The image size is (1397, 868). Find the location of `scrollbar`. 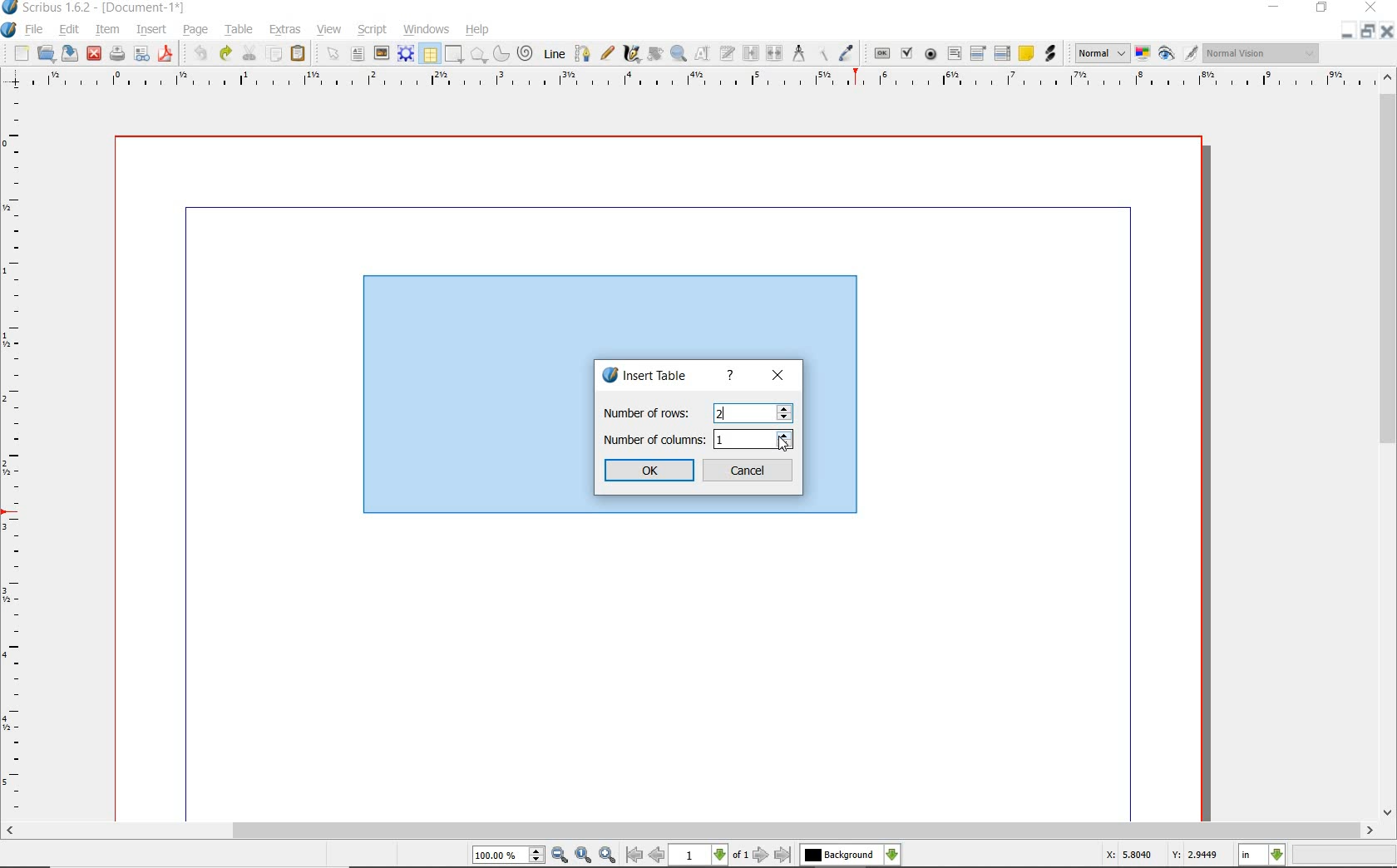

scrollbar is located at coordinates (1387, 446).